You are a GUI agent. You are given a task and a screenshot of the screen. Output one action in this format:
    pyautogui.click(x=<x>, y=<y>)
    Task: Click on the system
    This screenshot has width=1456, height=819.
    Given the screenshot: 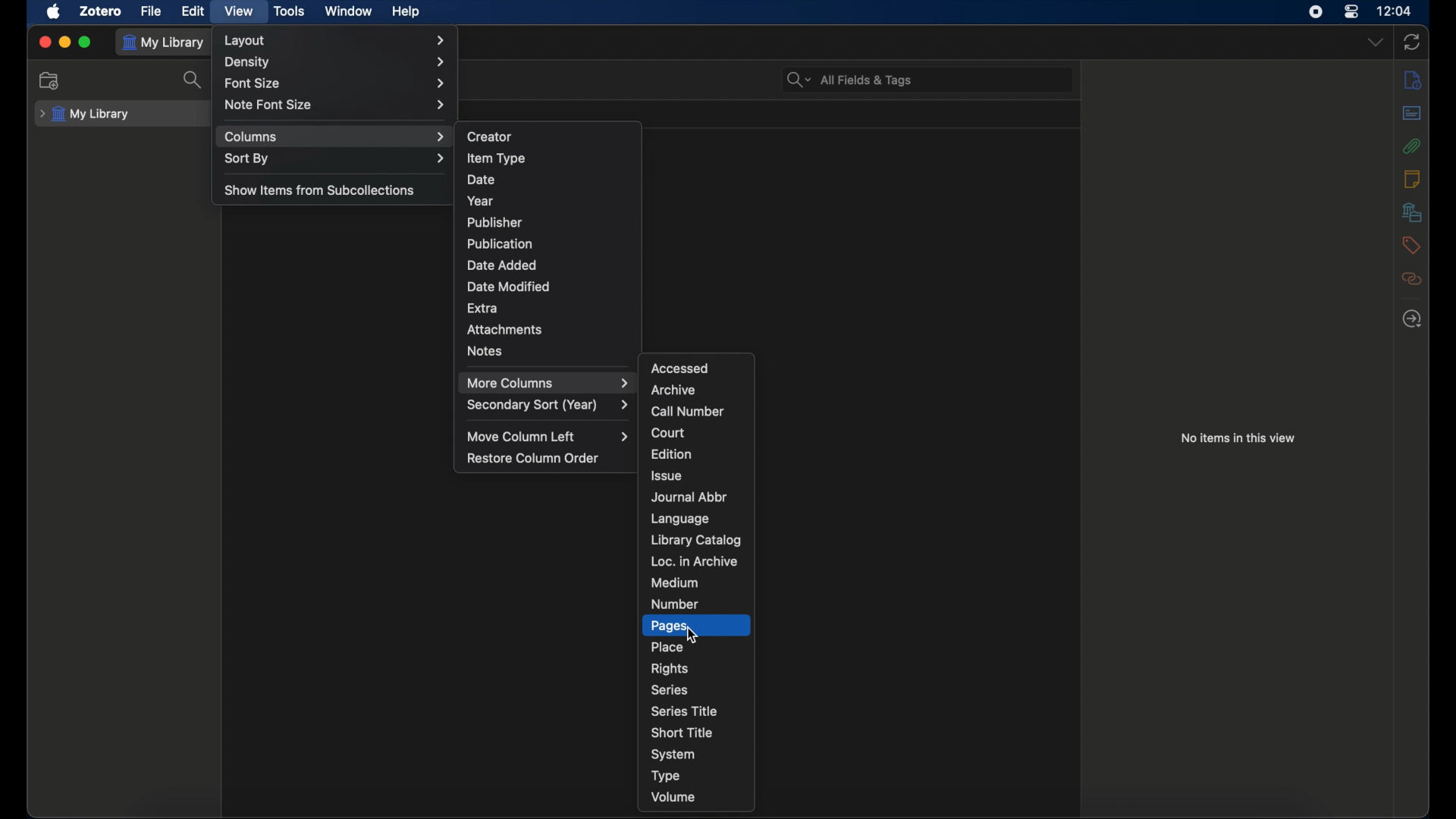 What is the action you would take?
    pyautogui.click(x=673, y=755)
    